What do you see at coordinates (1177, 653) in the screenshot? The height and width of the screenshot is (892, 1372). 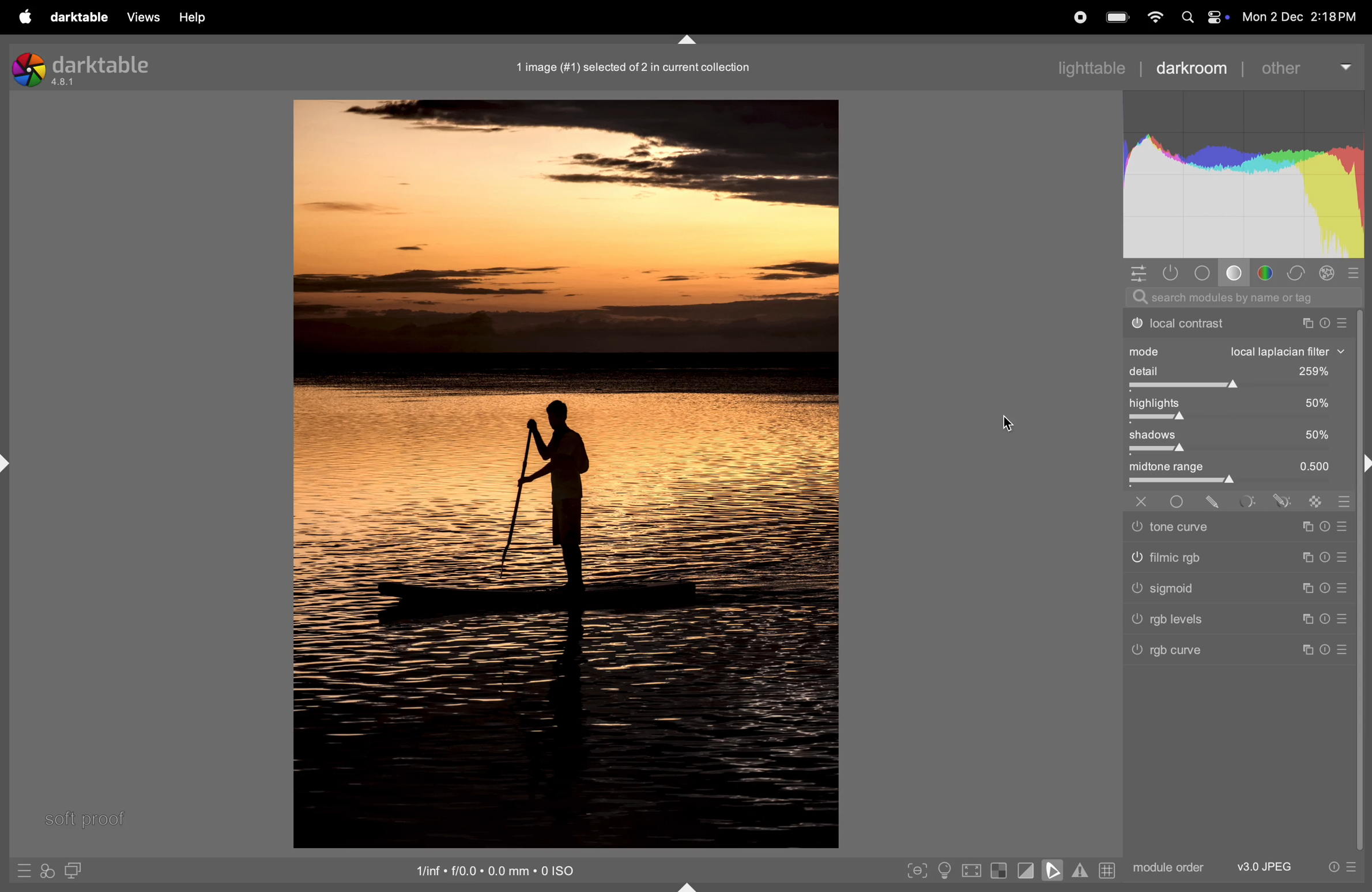 I see `rgb curve ` at bounding box center [1177, 653].